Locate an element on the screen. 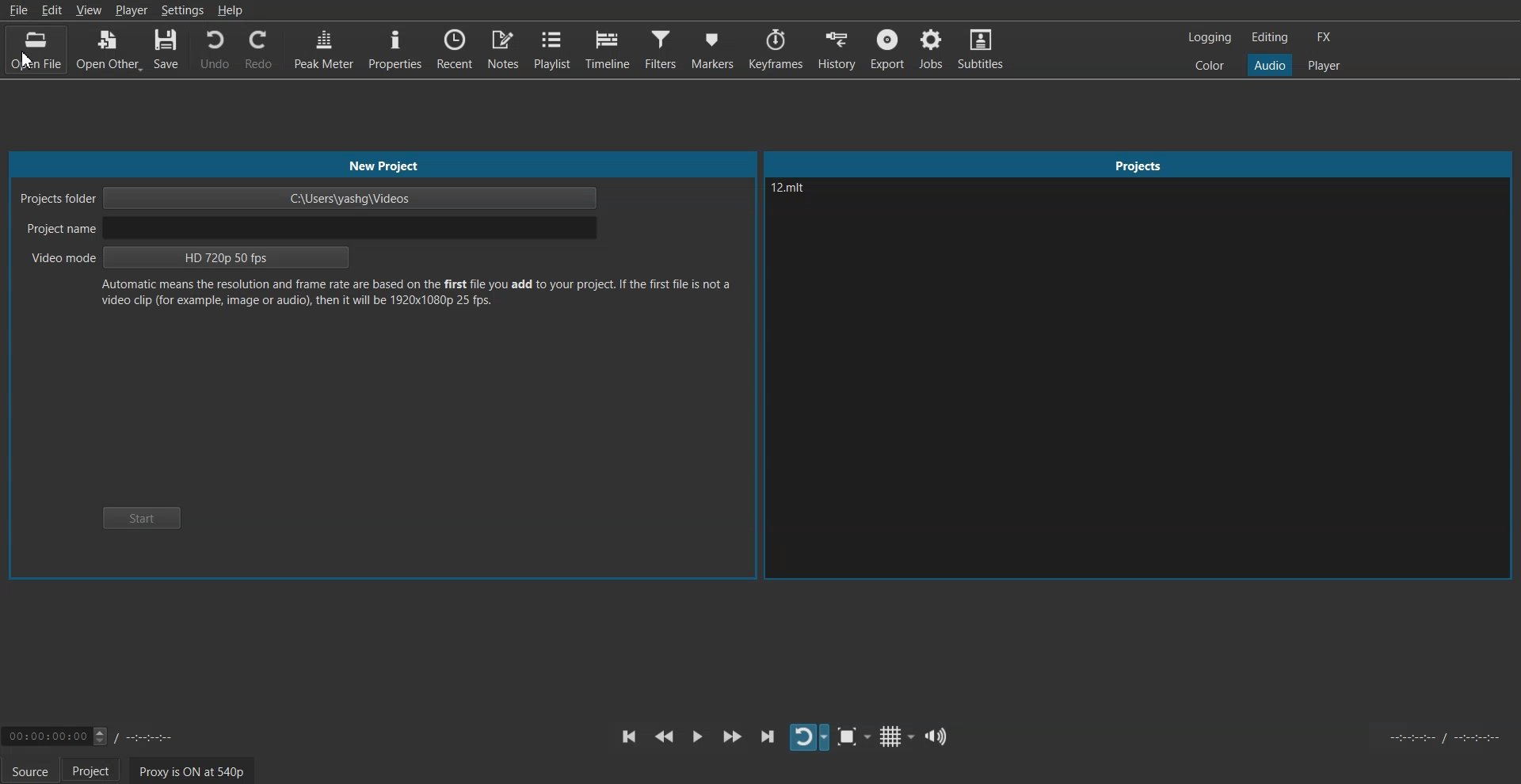 The image size is (1521, 784). Export is located at coordinates (889, 48).